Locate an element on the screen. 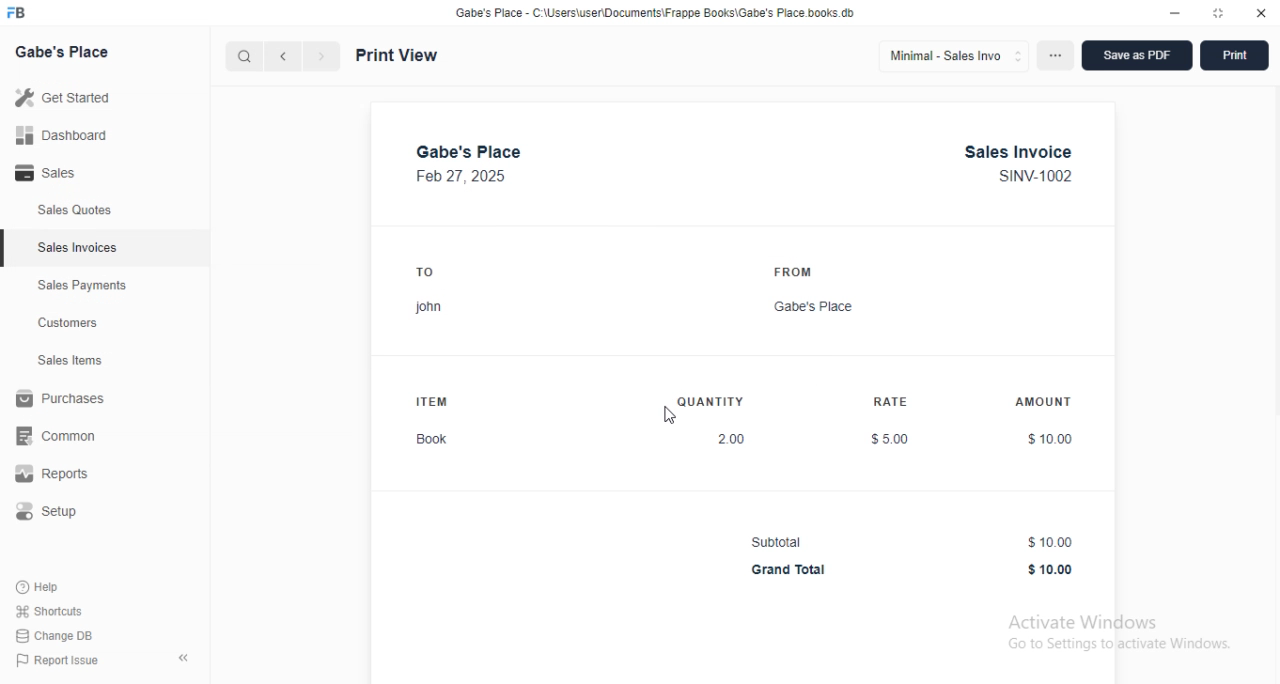 The width and height of the screenshot is (1280, 684). FROM is located at coordinates (795, 272).